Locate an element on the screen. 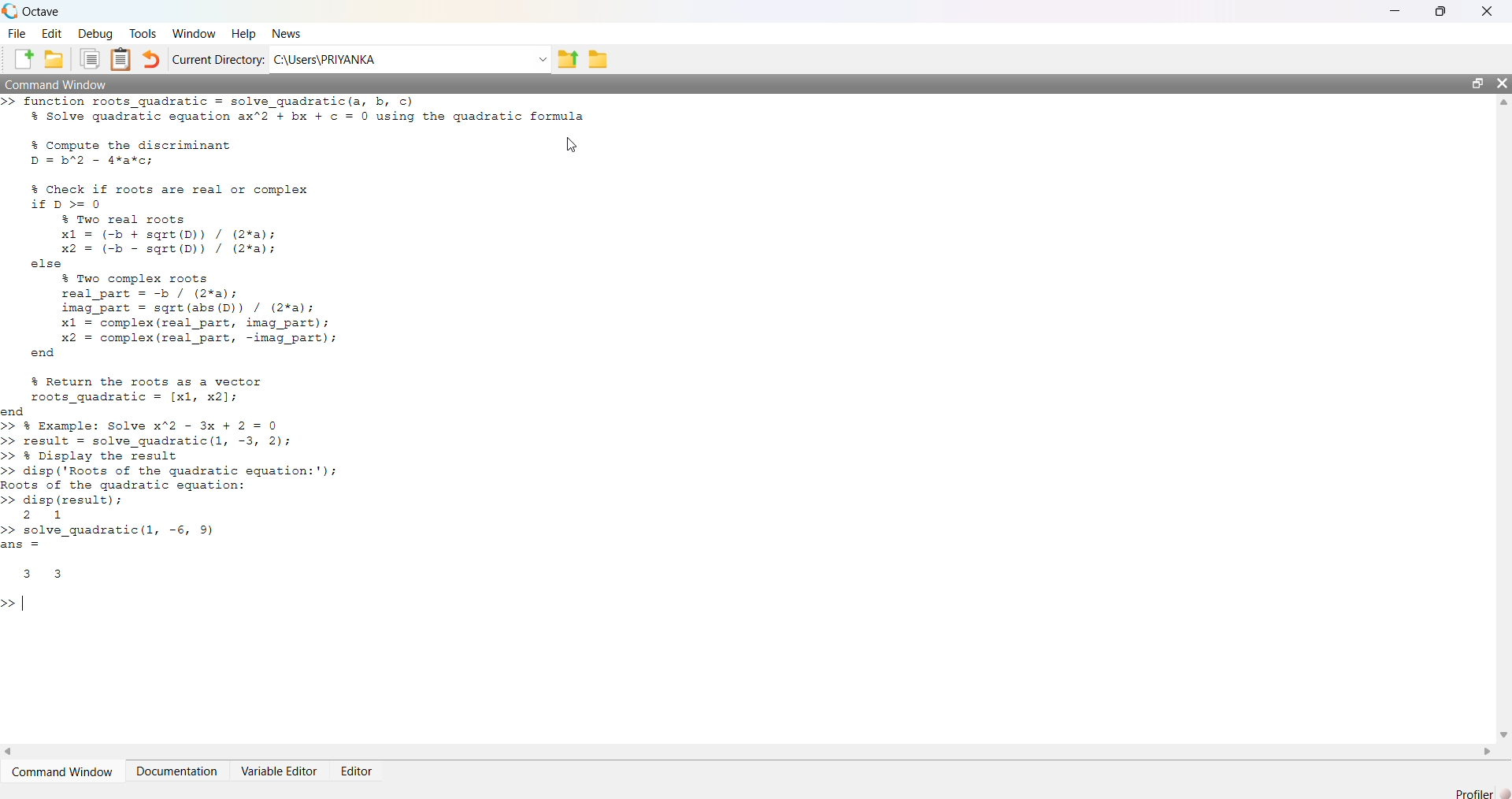  Copy is located at coordinates (88, 59).